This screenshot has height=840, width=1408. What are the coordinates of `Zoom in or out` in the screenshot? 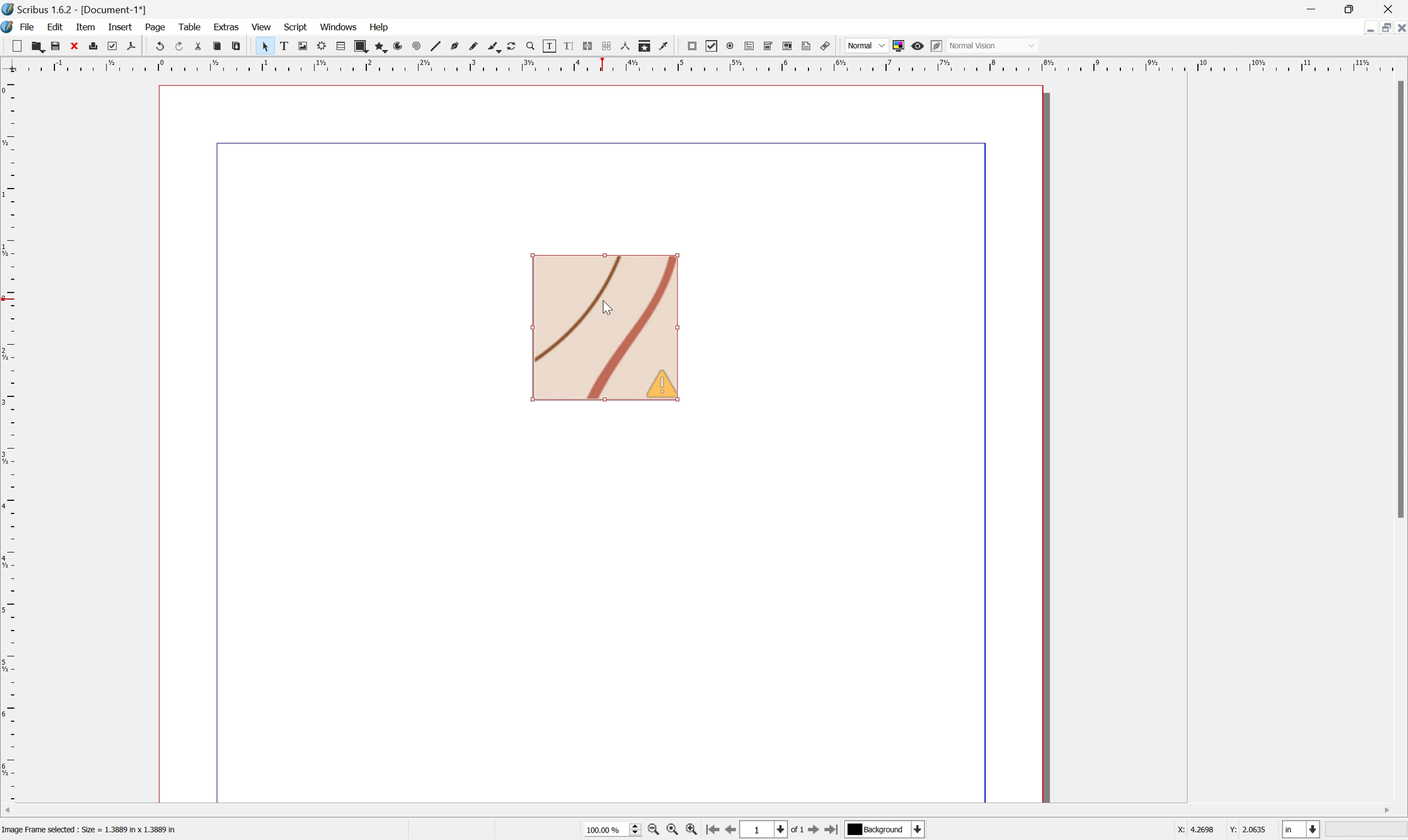 It's located at (536, 48).